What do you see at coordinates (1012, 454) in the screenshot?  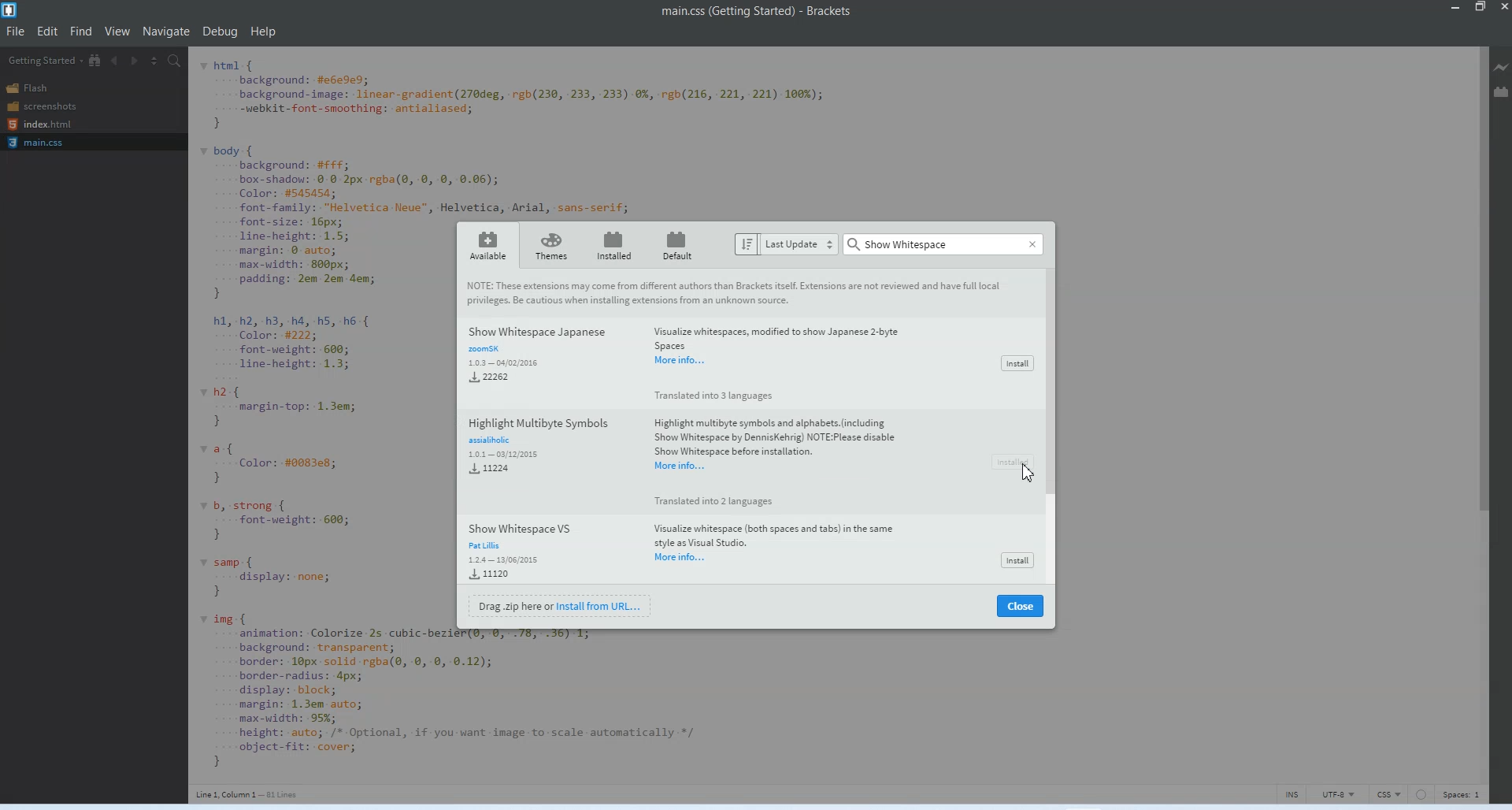 I see `Installed` at bounding box center [1012, 454].